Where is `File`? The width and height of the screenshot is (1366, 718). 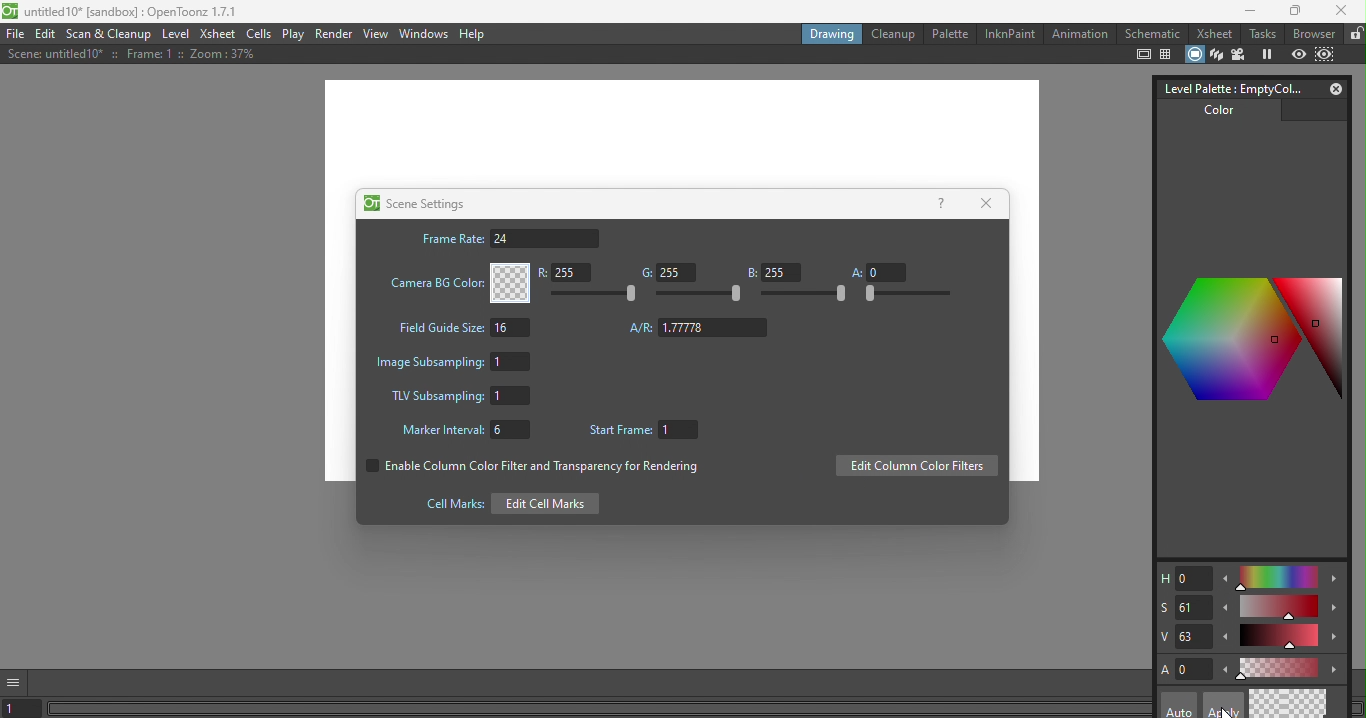
File is located at coordinates (15, 35).